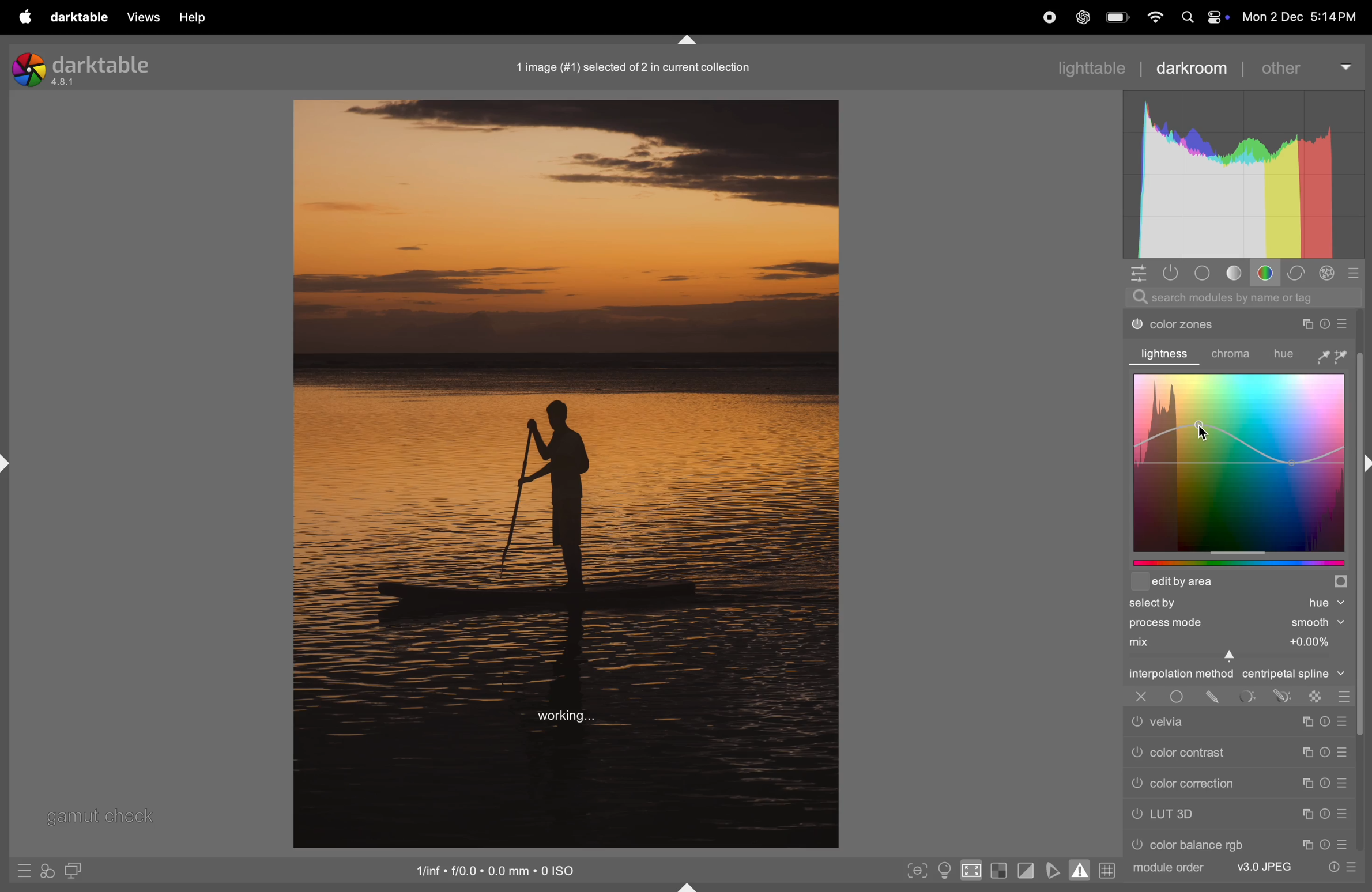 The height and width of the screenshot is (892, 1372). Describe the element at coordinates (1306, 845) in the screenshot. I see `Copy` at that location.